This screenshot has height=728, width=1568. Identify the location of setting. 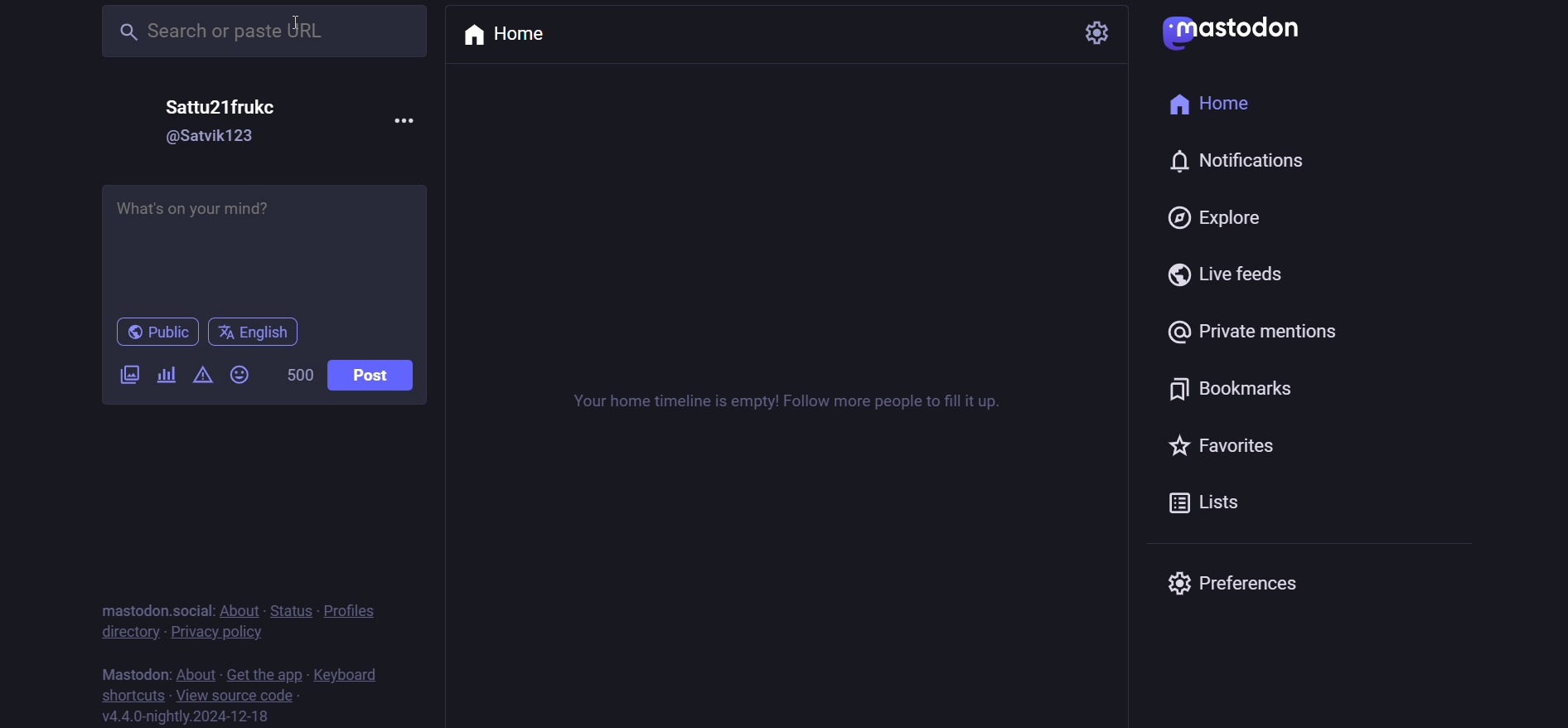
(1100, 30).